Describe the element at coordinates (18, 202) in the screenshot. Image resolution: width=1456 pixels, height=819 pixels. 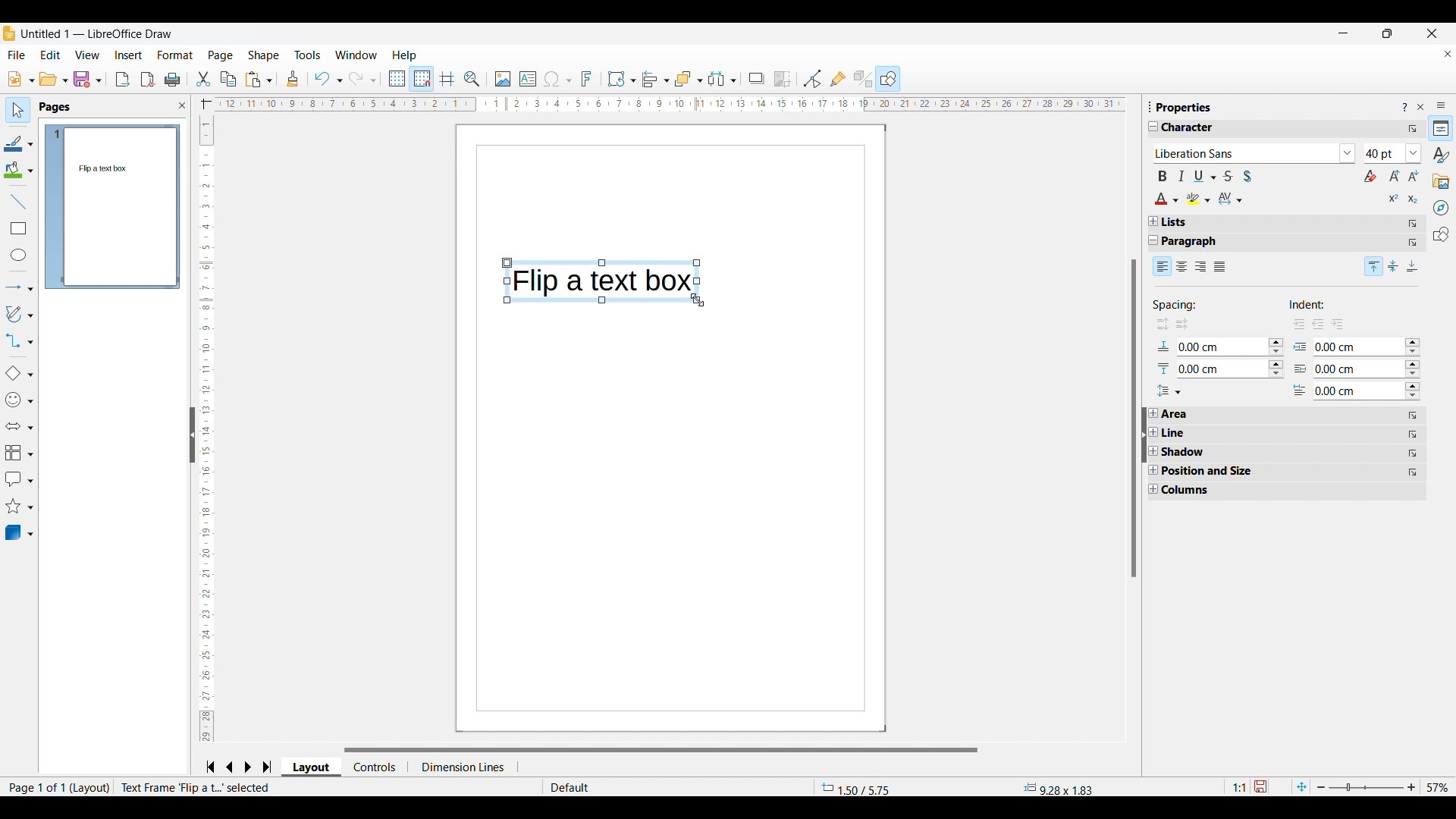
I see `Insert line` at that location.